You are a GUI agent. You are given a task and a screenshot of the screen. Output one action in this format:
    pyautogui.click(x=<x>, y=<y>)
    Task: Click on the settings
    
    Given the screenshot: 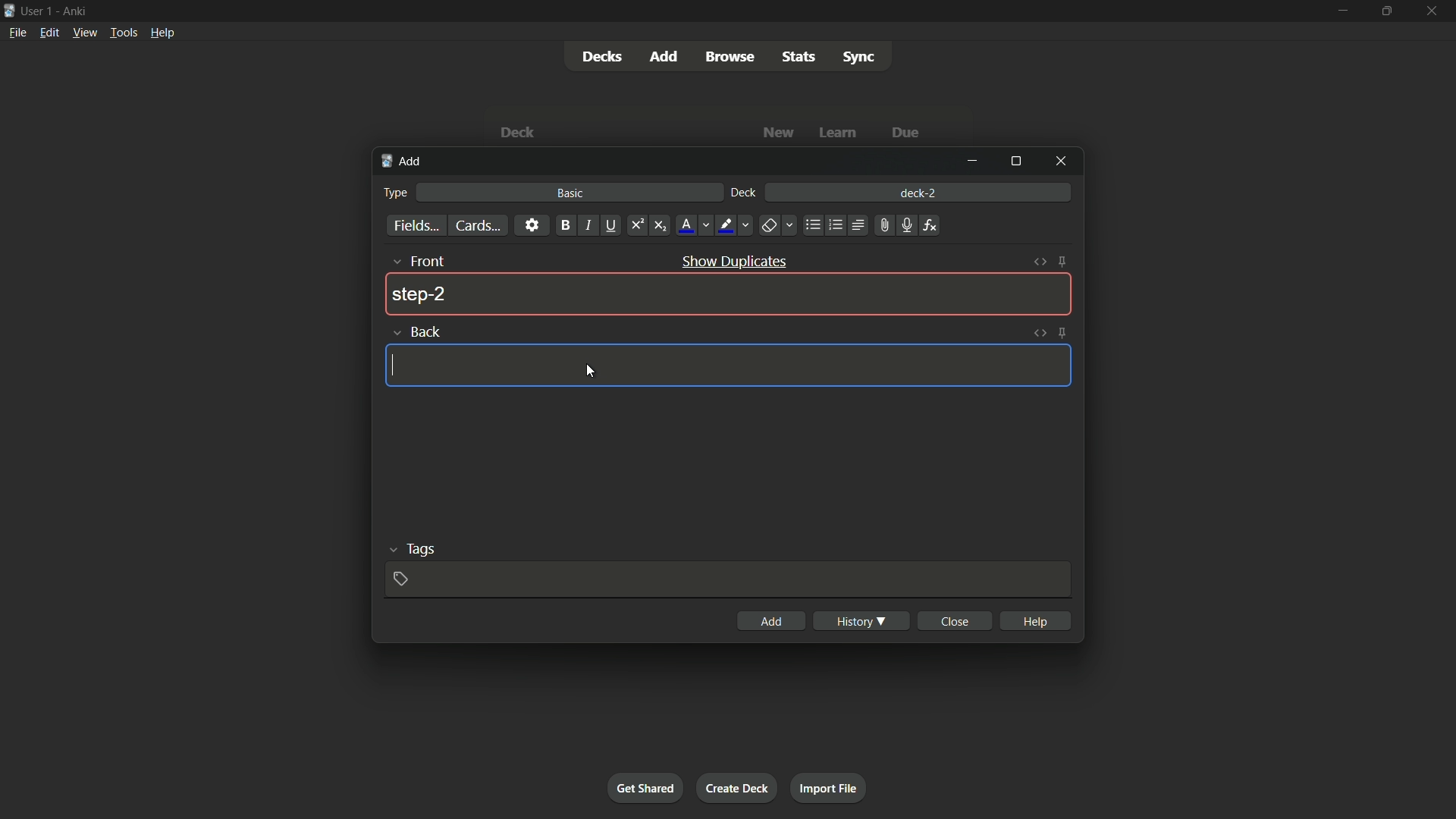 What is the action you would take?
    pyautogui.click(x=532, y=226)
    